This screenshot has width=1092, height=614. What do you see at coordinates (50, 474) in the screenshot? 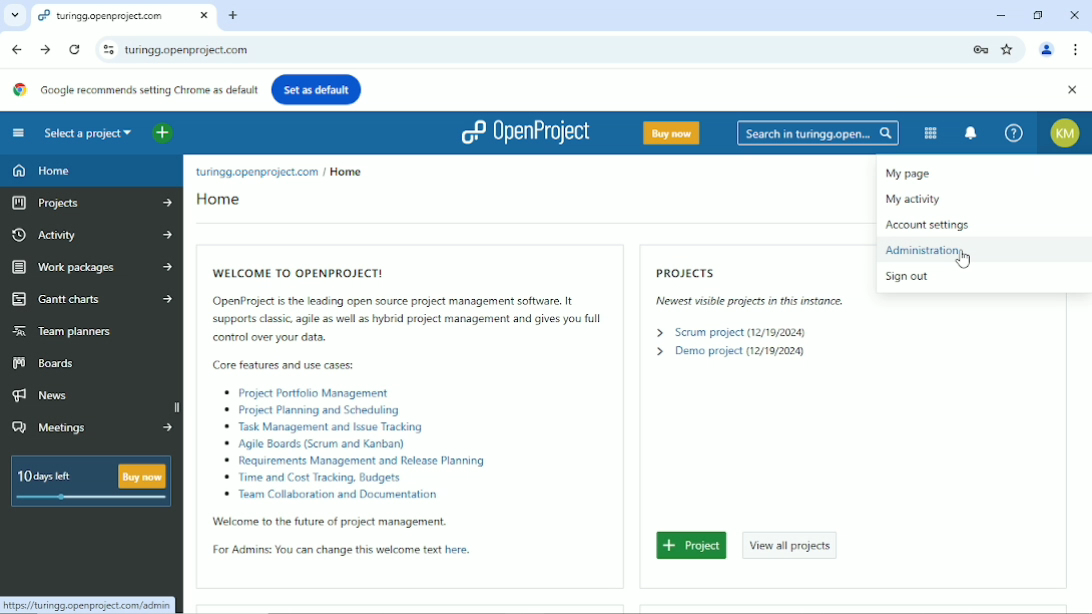
I see `10 days left` at bounding box center [50, 474].